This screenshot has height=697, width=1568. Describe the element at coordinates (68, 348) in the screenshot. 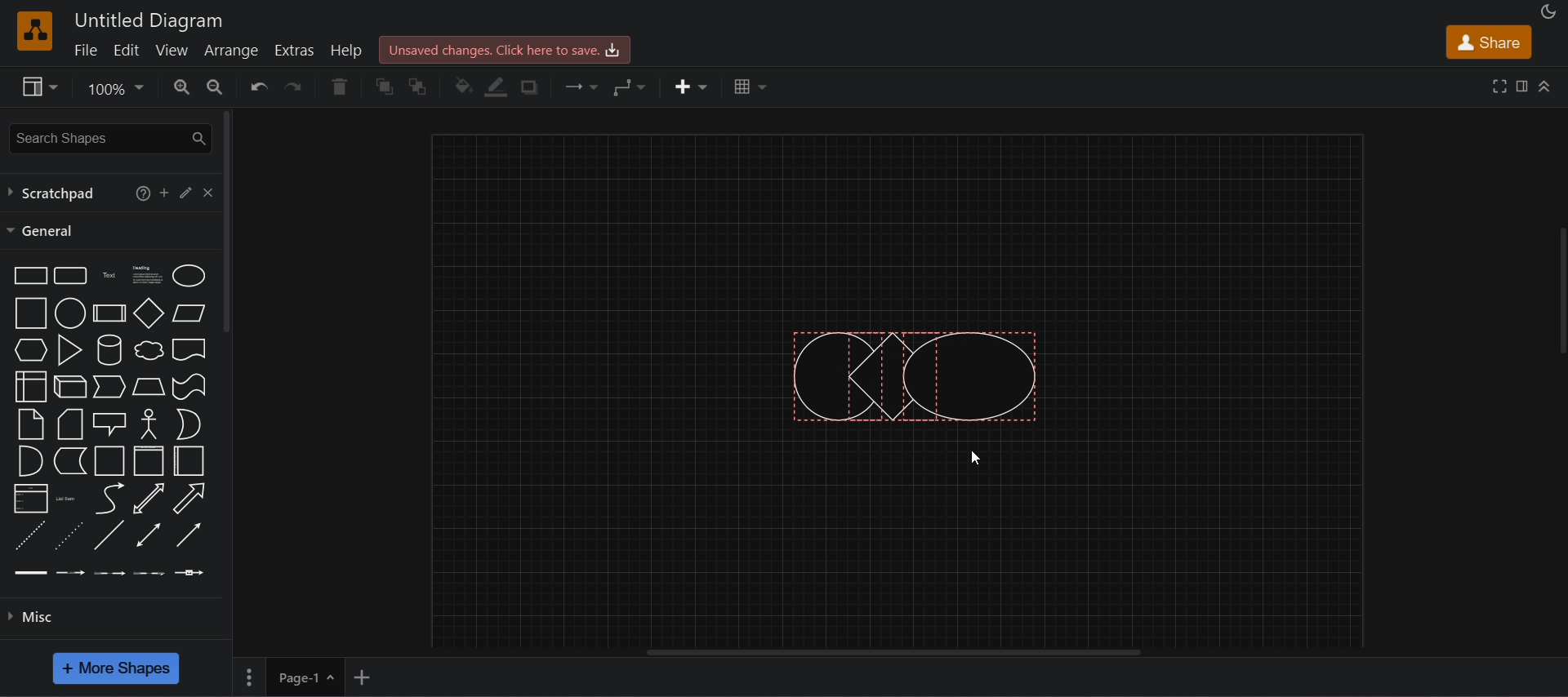

I see `triangle` at that location.